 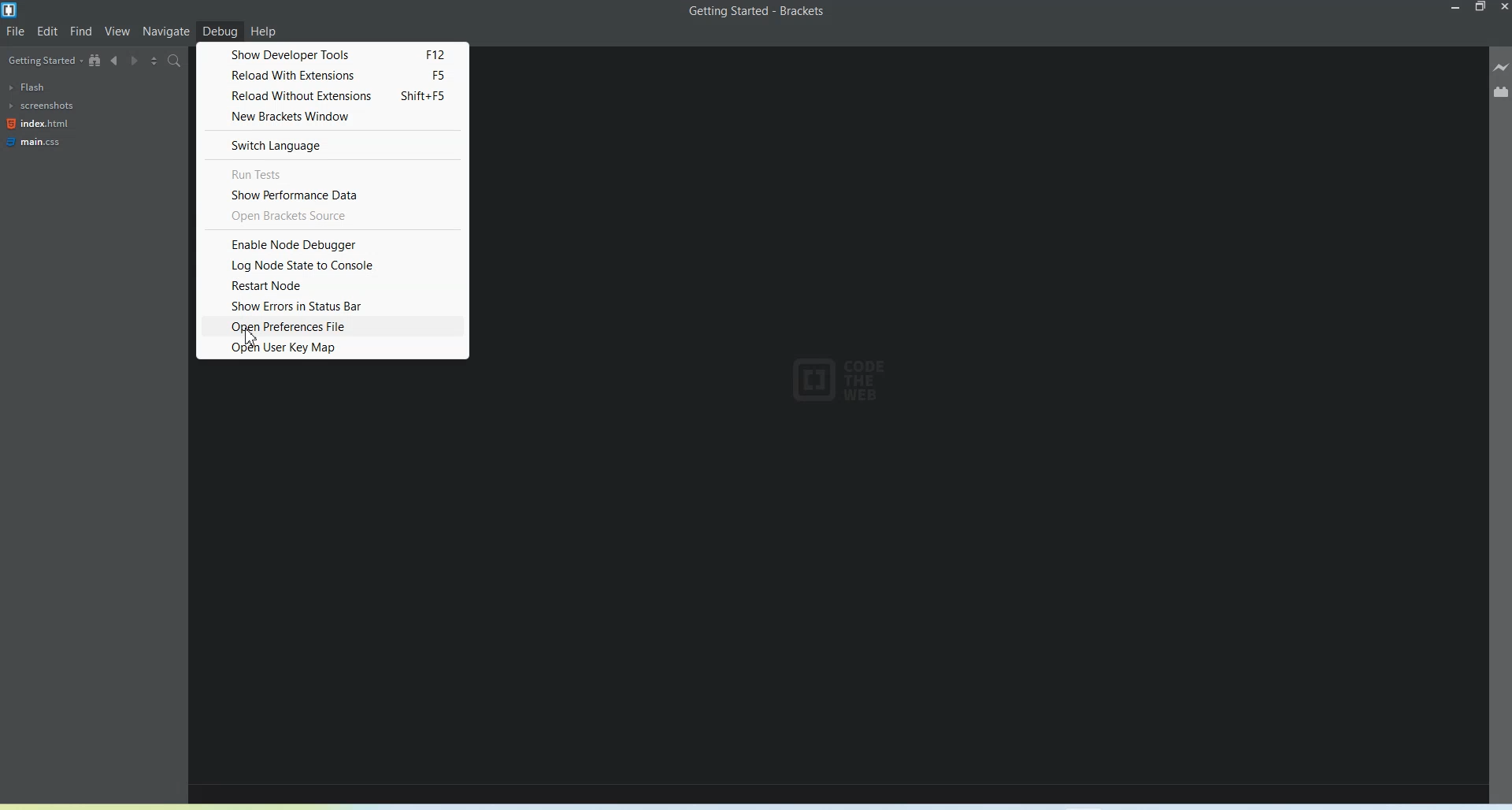 What do you see at coordinates (1503, 9) in the screenshot?
I see `Close` at bounding box center [1503, 9].